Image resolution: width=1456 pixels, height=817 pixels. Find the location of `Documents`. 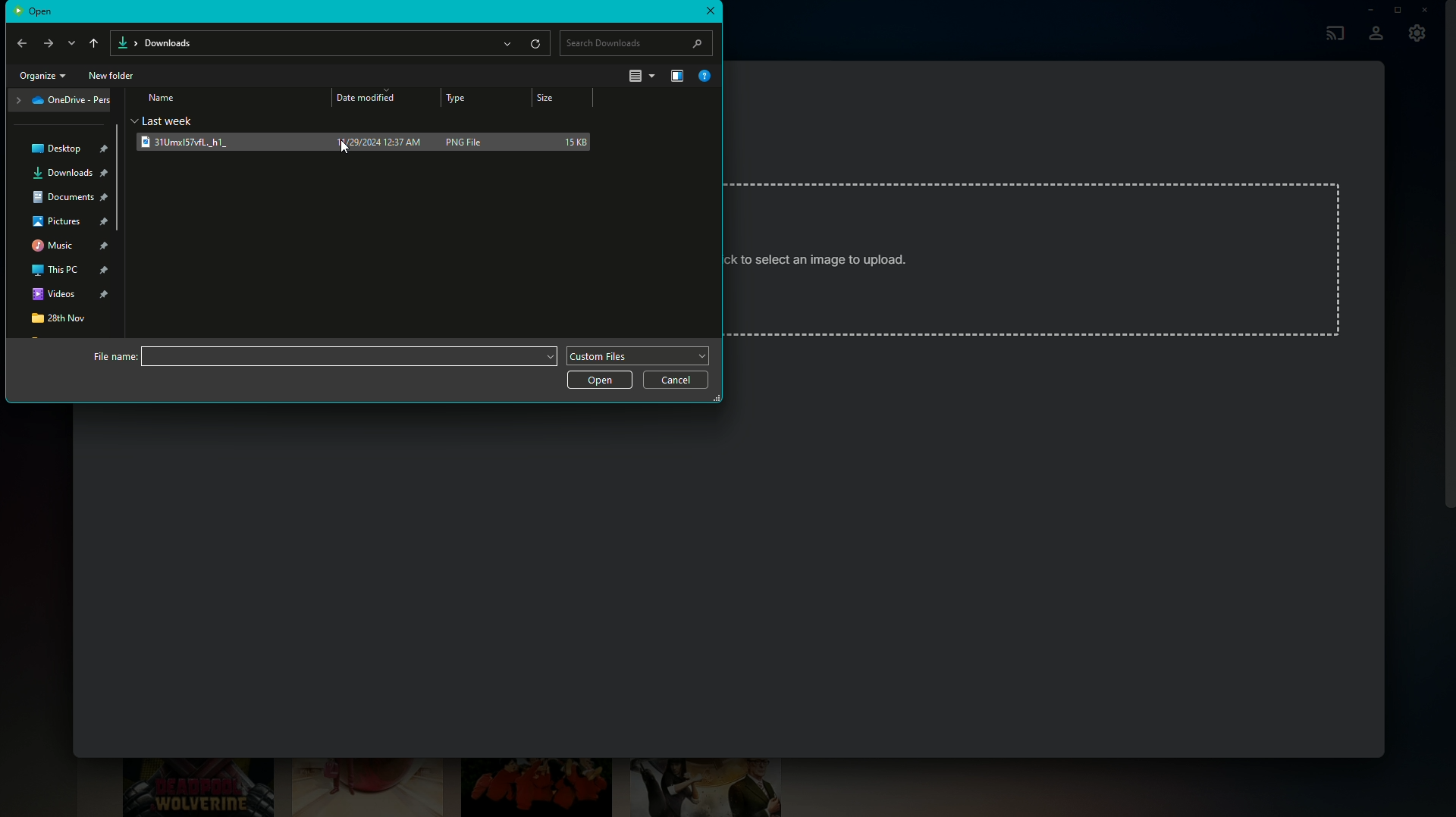

Documents is located at coordinates (72, 199).